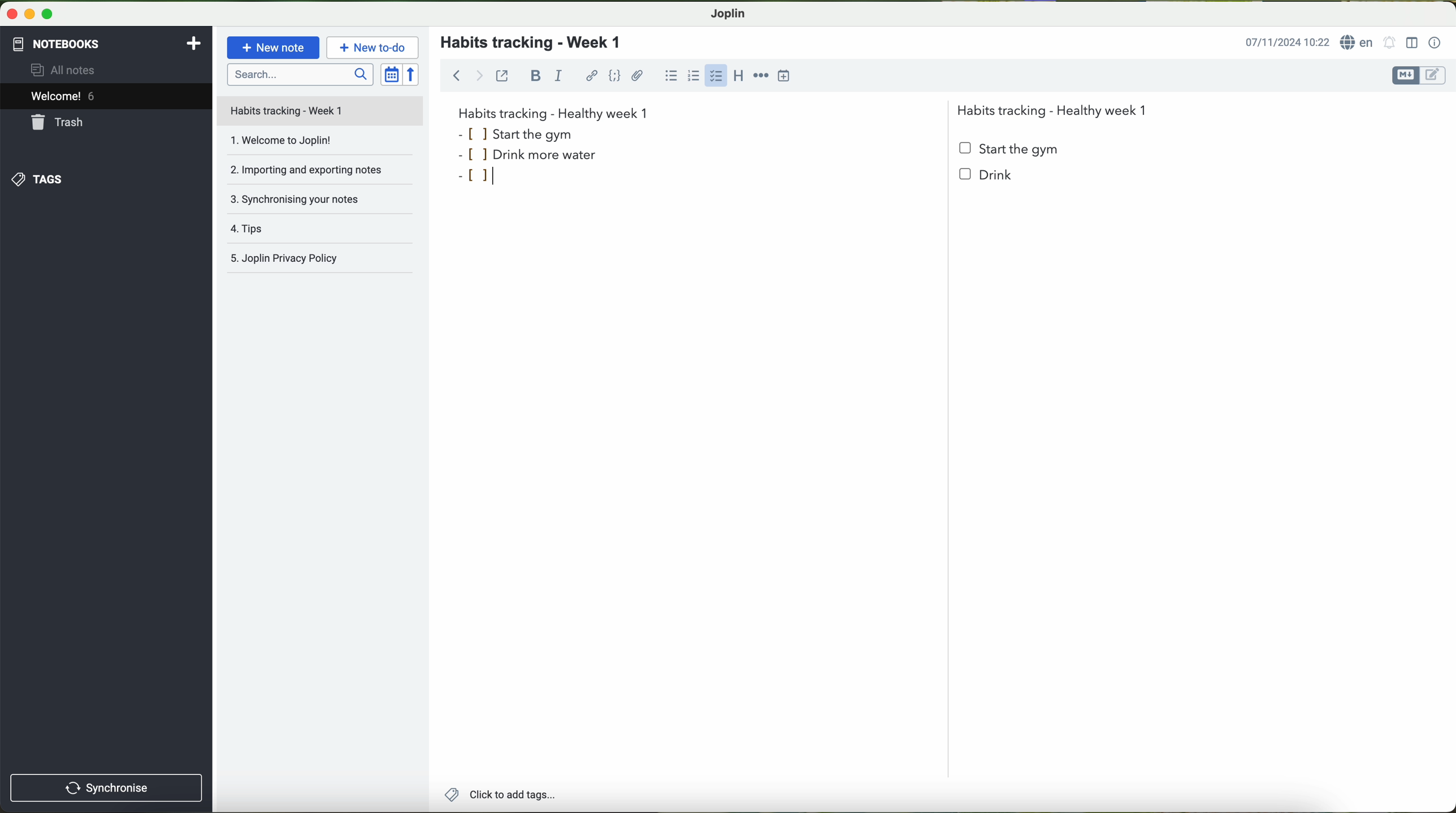 The height and width of the screenshot is (813, 1456). What do you see at coordinates (1057, 108) in the screenshot?
I see `Habits tracking - Healthy week 1` at bounding box center [1057, 108].